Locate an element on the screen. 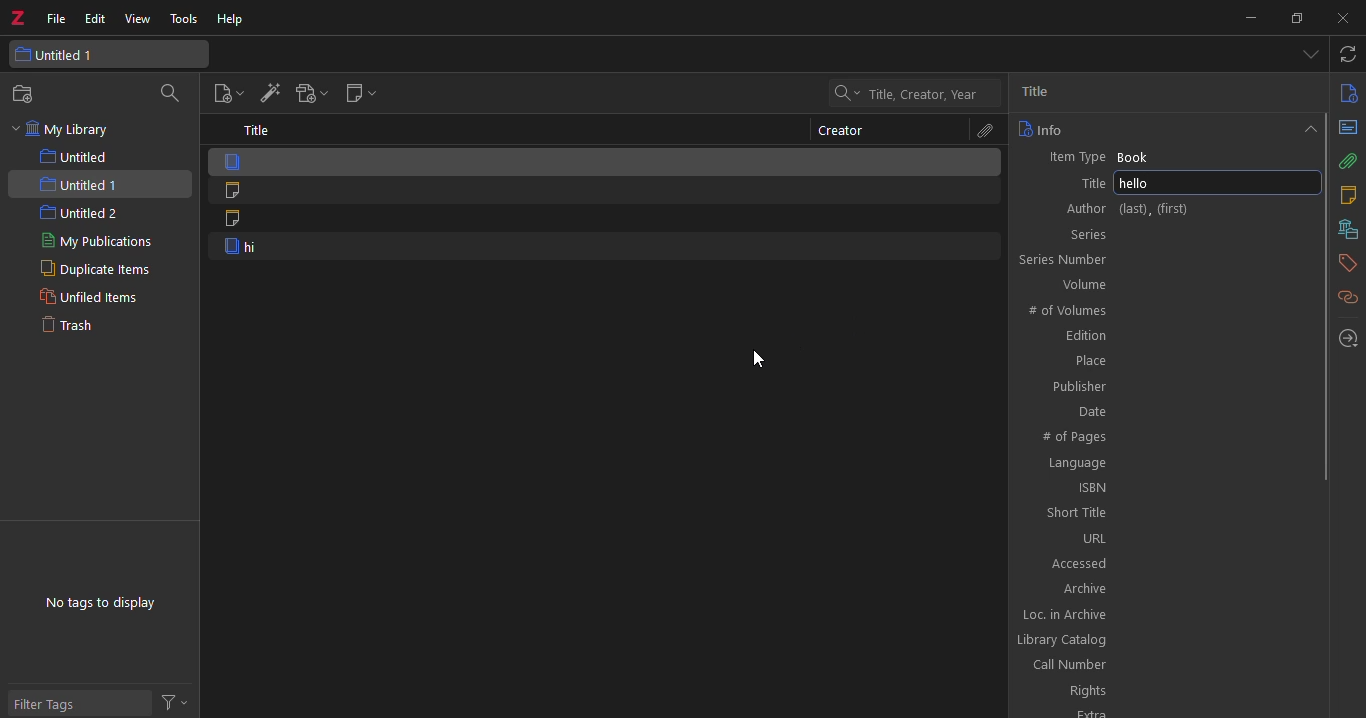  item type: book is located at coordinates (1165, 156).